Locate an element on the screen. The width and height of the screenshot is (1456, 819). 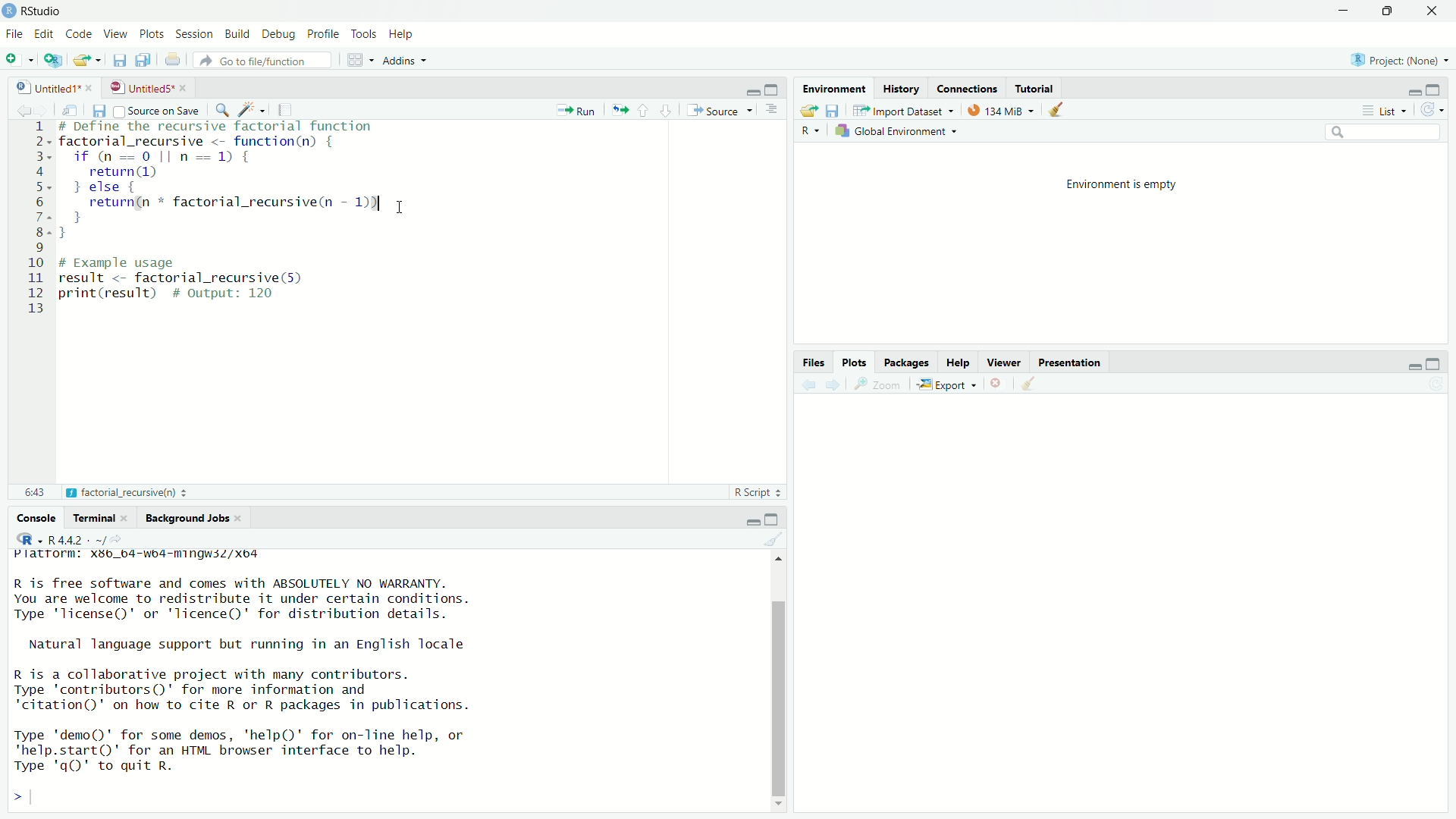
Compile Report (Ctrl + Shift + K) is located at coordinates (288, 108).